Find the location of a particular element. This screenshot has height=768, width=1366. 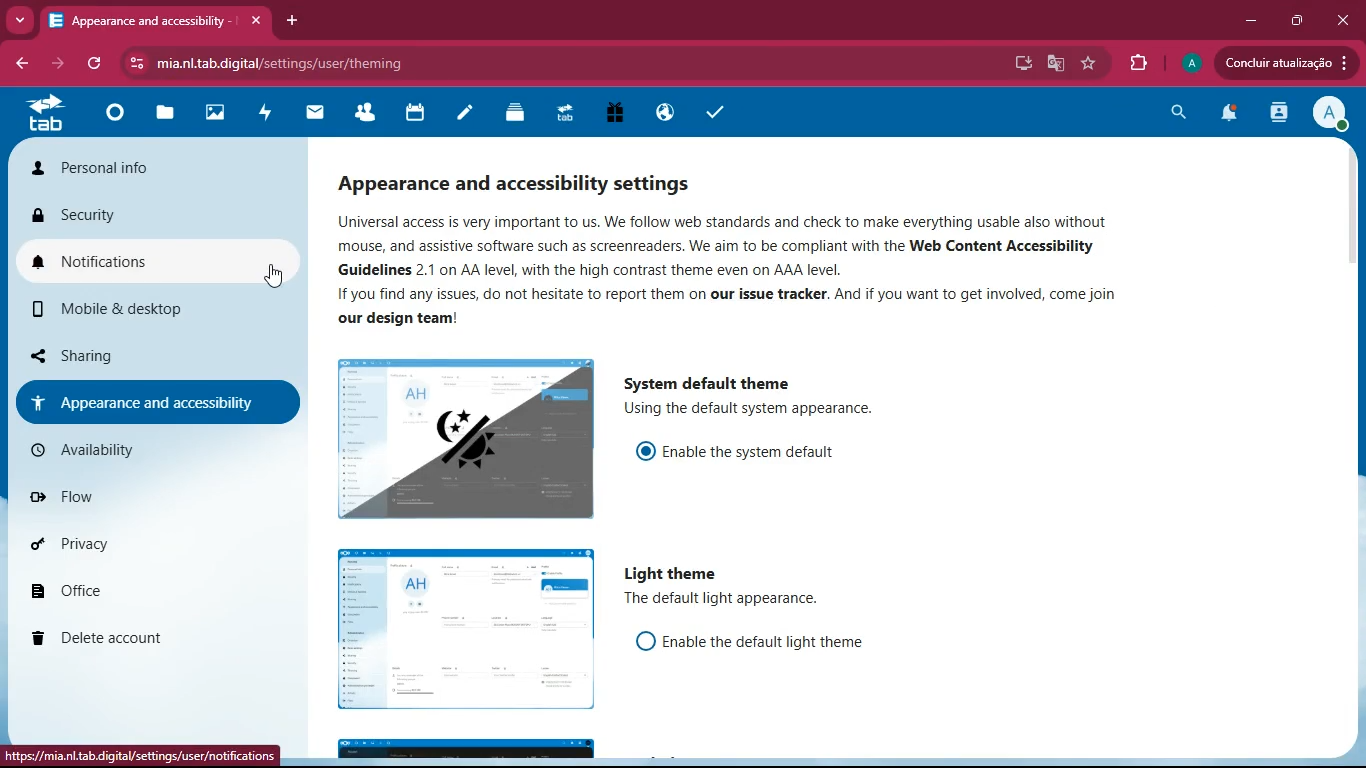

appearance is located at coordinates (147, 400).